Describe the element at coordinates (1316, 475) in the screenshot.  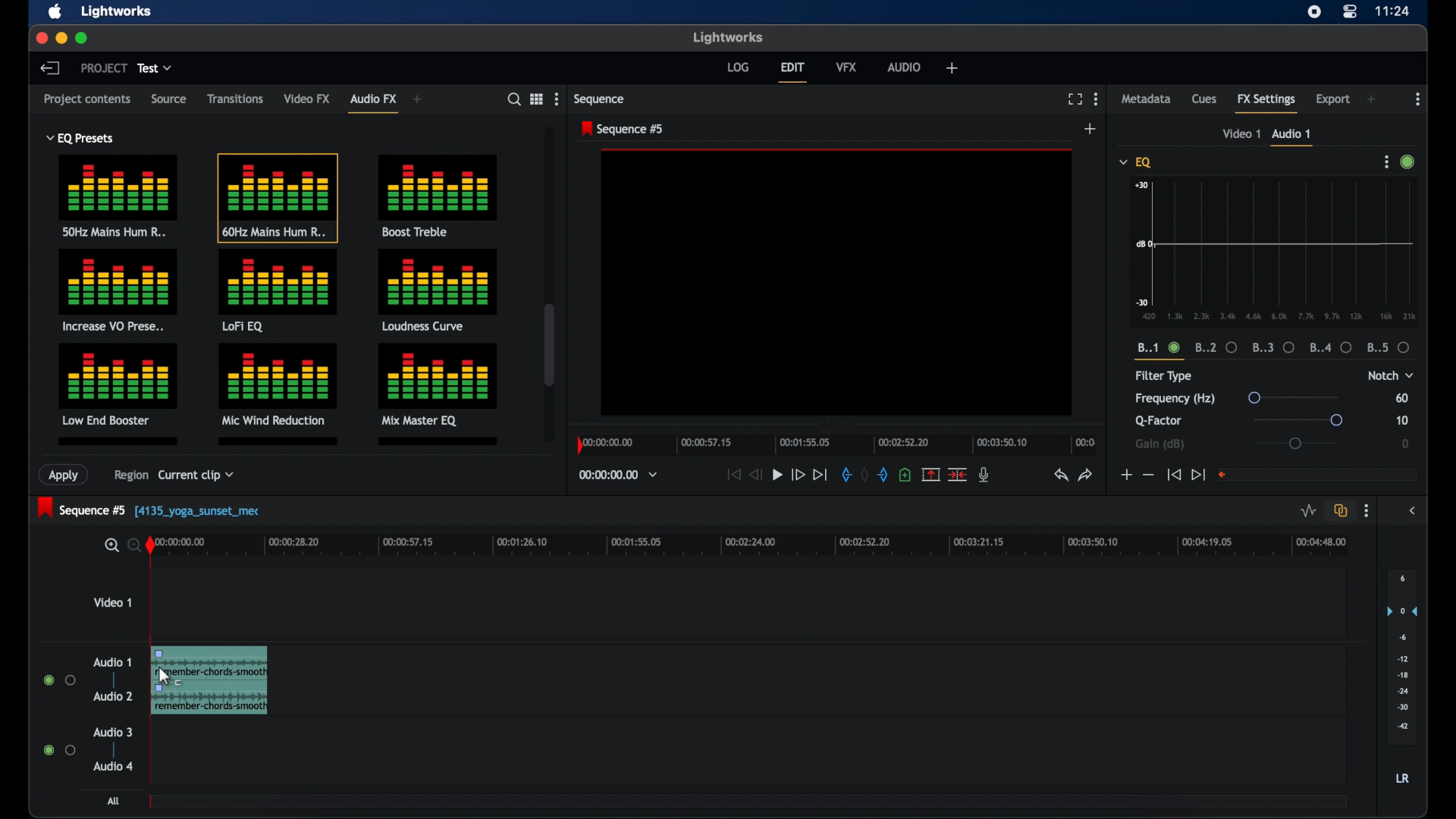
I see `empty field` at that location.